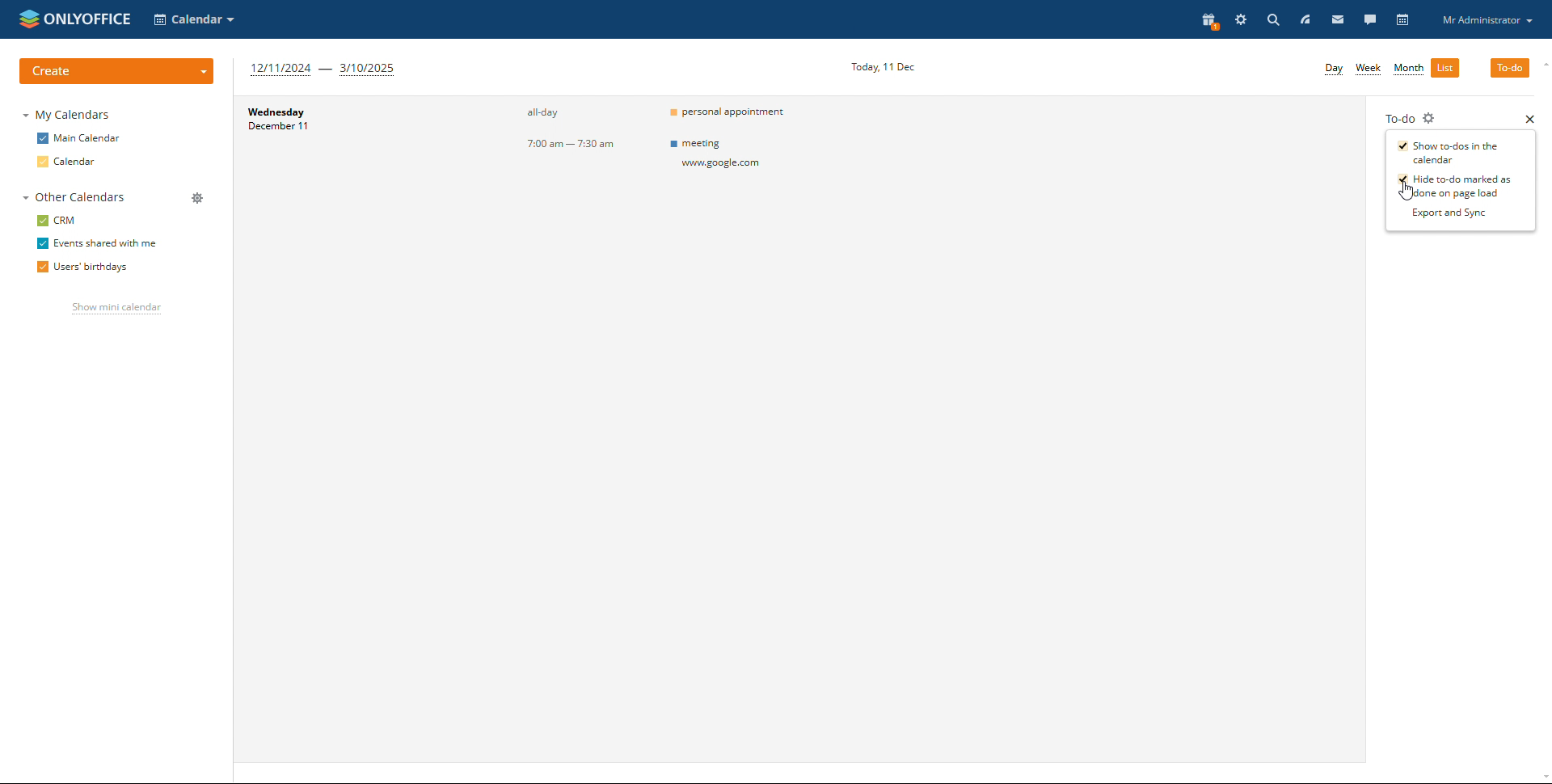 This screenshot has width=1552, height=784. I want to click on close, so click(1529, 119).